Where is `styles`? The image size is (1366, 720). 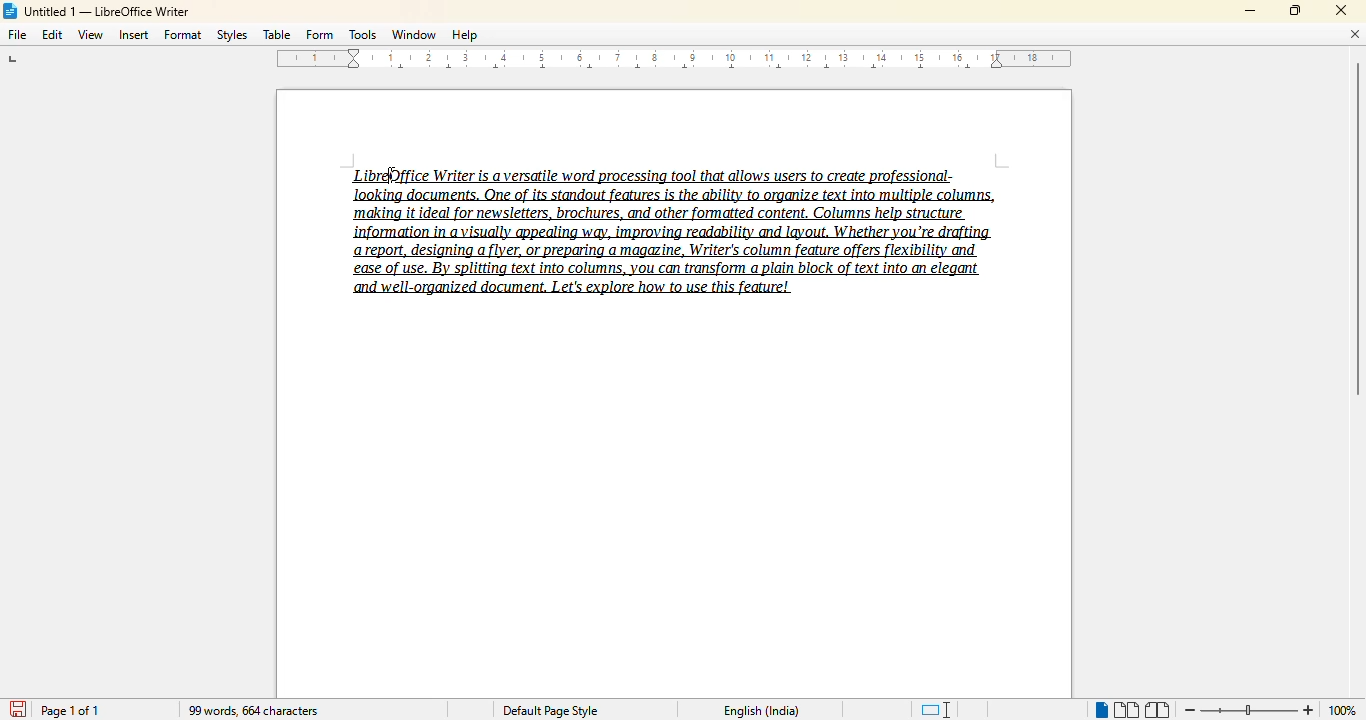
styles is located at coordinates (232, 35).